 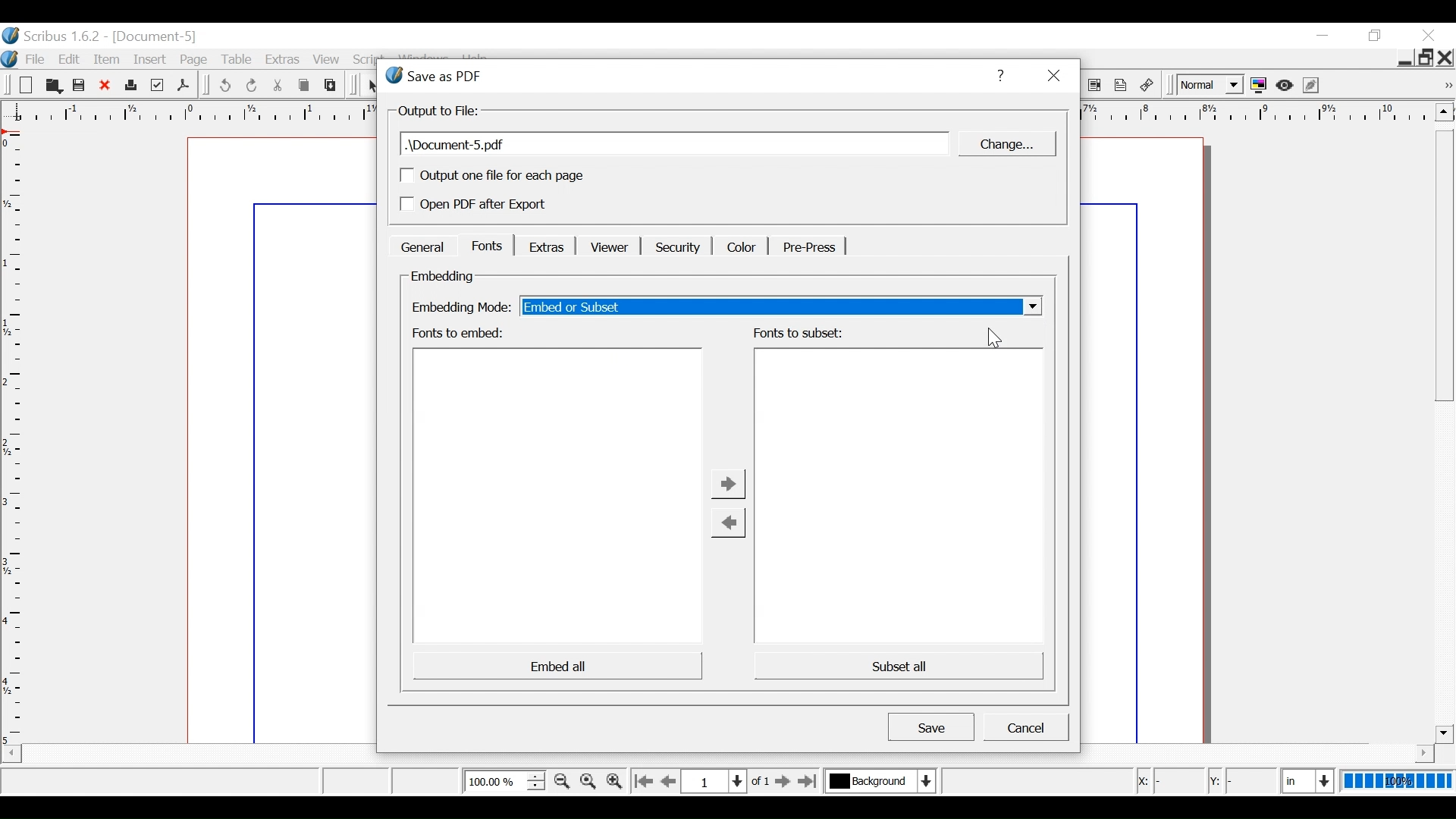 I want to click on Document, so click(x=1157, y=439).